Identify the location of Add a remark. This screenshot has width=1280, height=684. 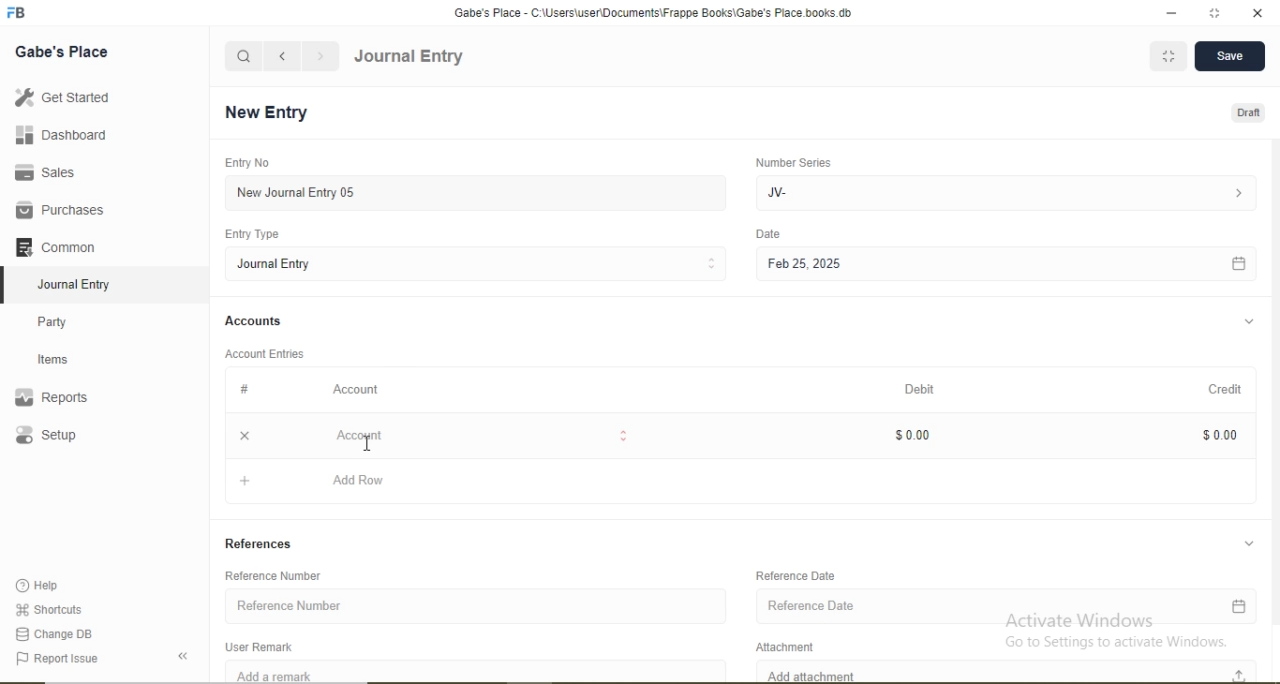
(476, 671).